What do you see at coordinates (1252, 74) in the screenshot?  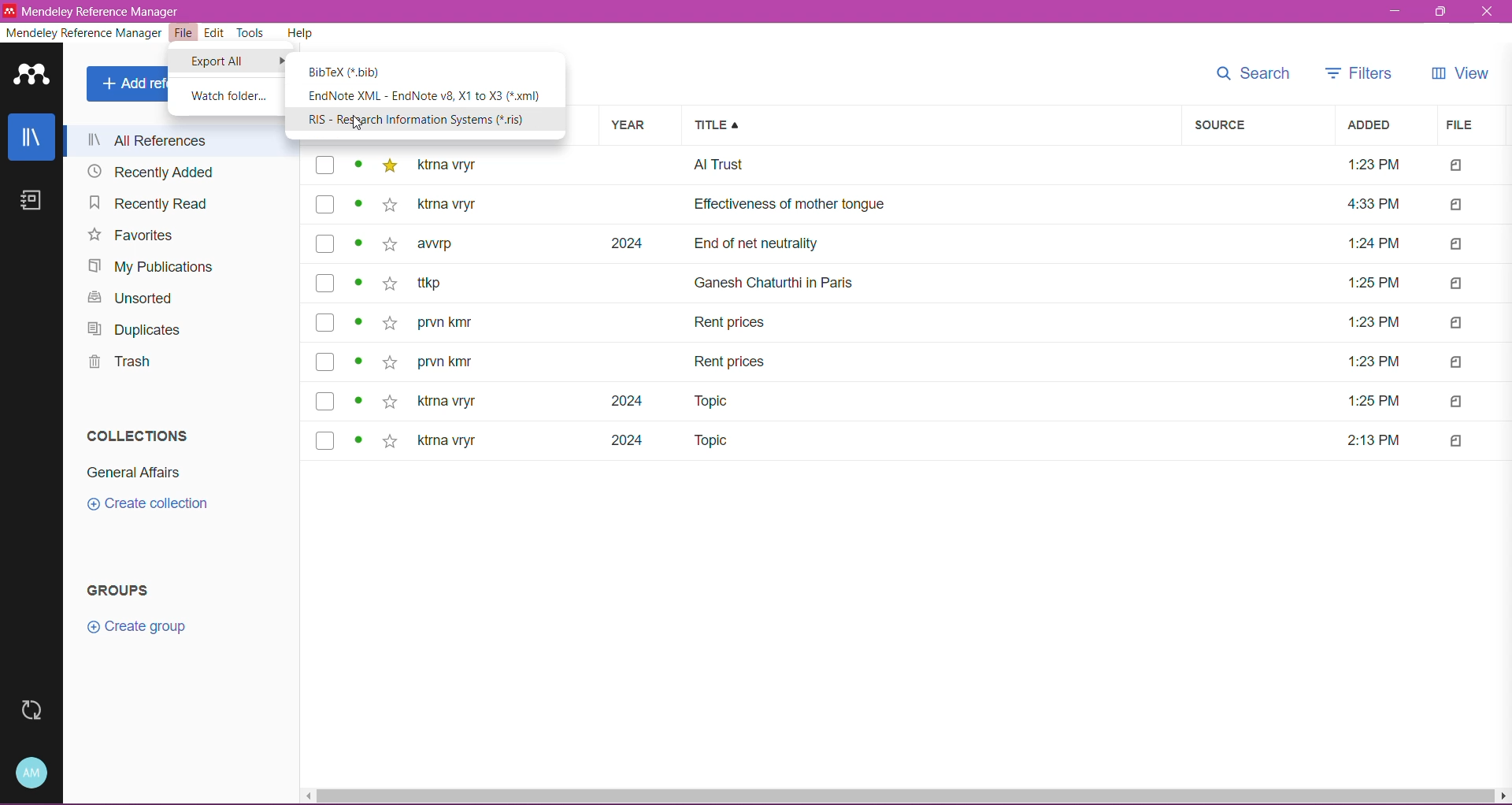 I see `Search` at bounding box center [1252, 74].